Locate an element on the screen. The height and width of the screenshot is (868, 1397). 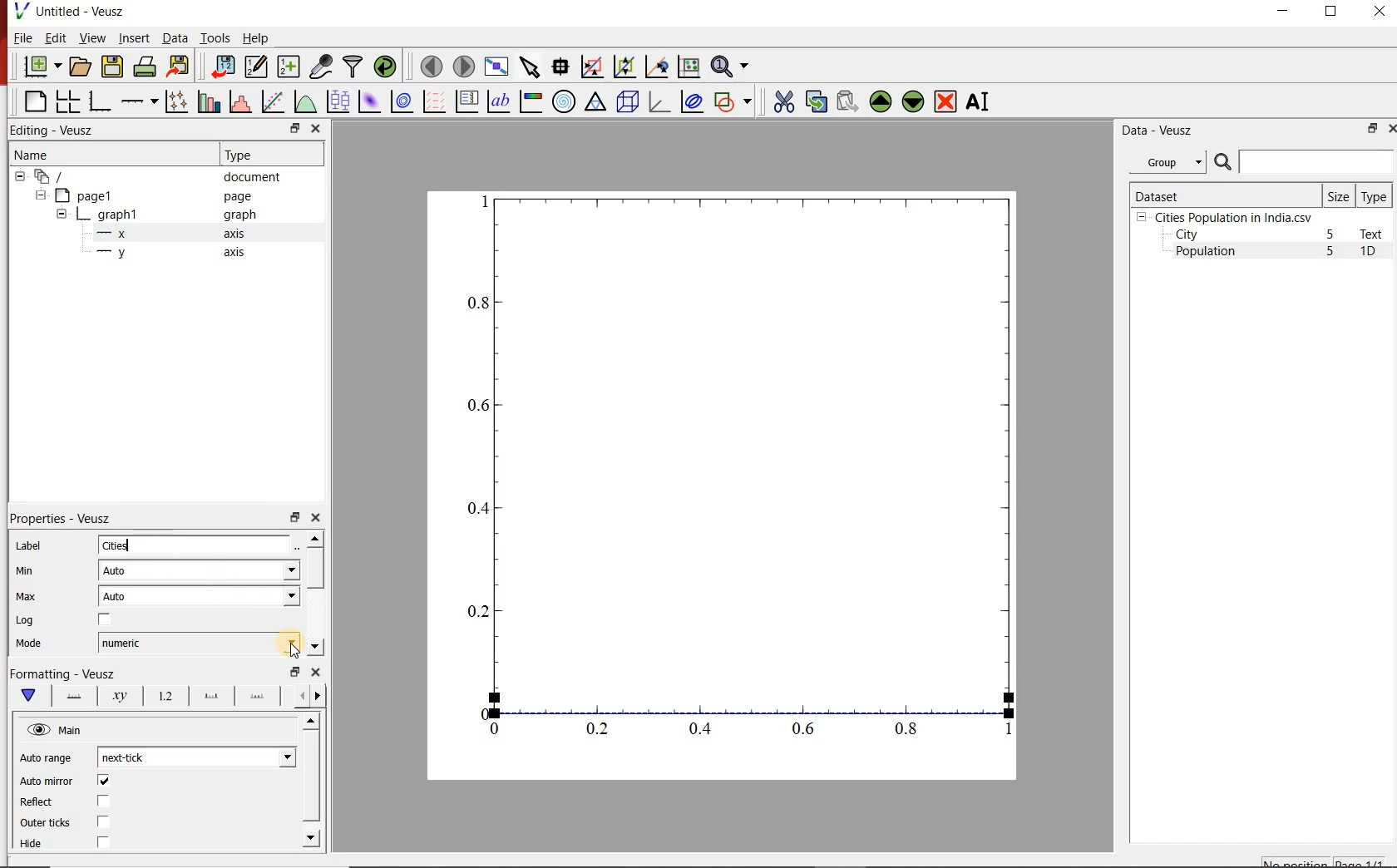
search dataset is located at coordinates (1305, 162).